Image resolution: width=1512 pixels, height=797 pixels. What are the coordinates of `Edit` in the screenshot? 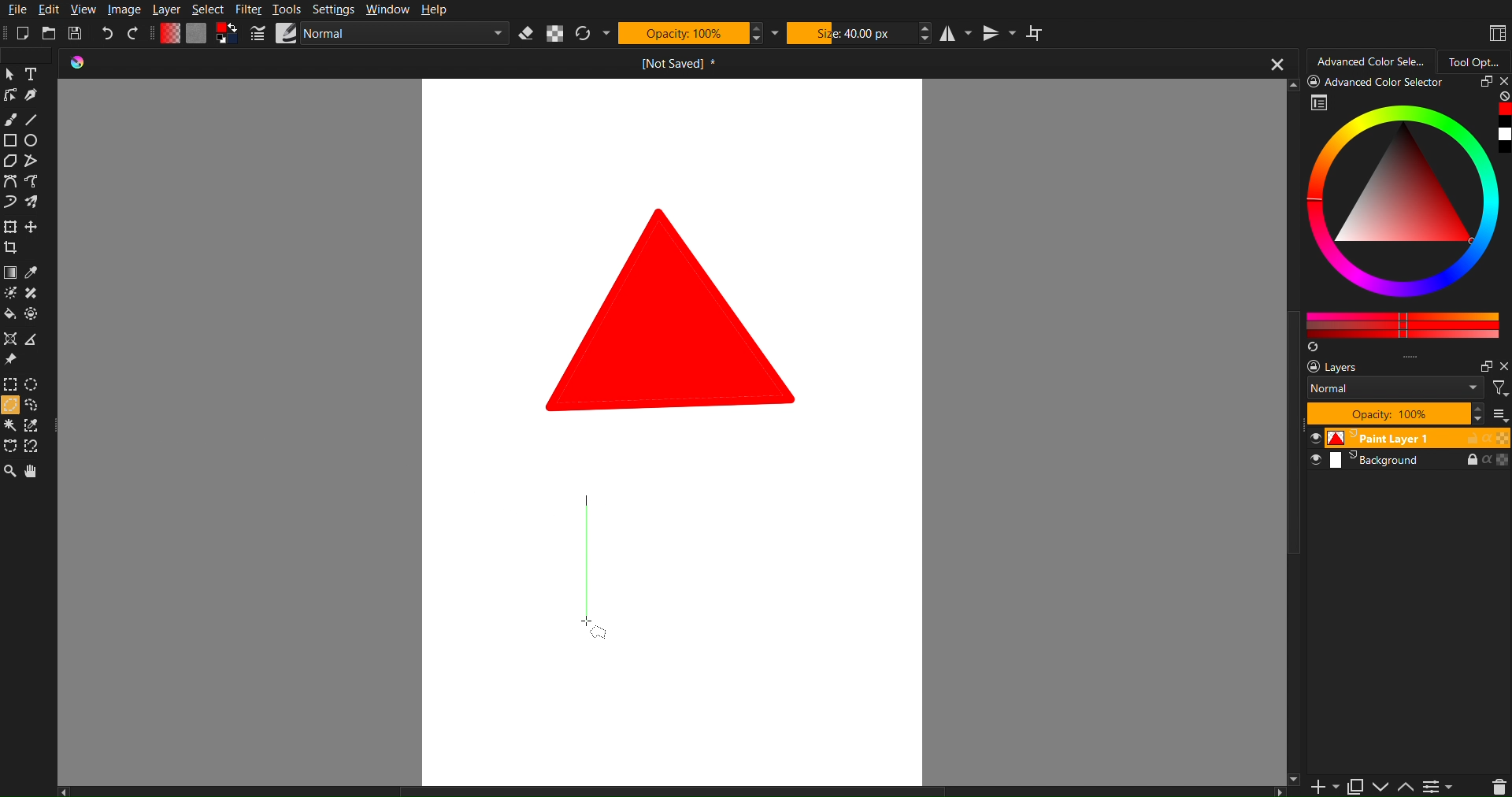 It's located at (52, 9).